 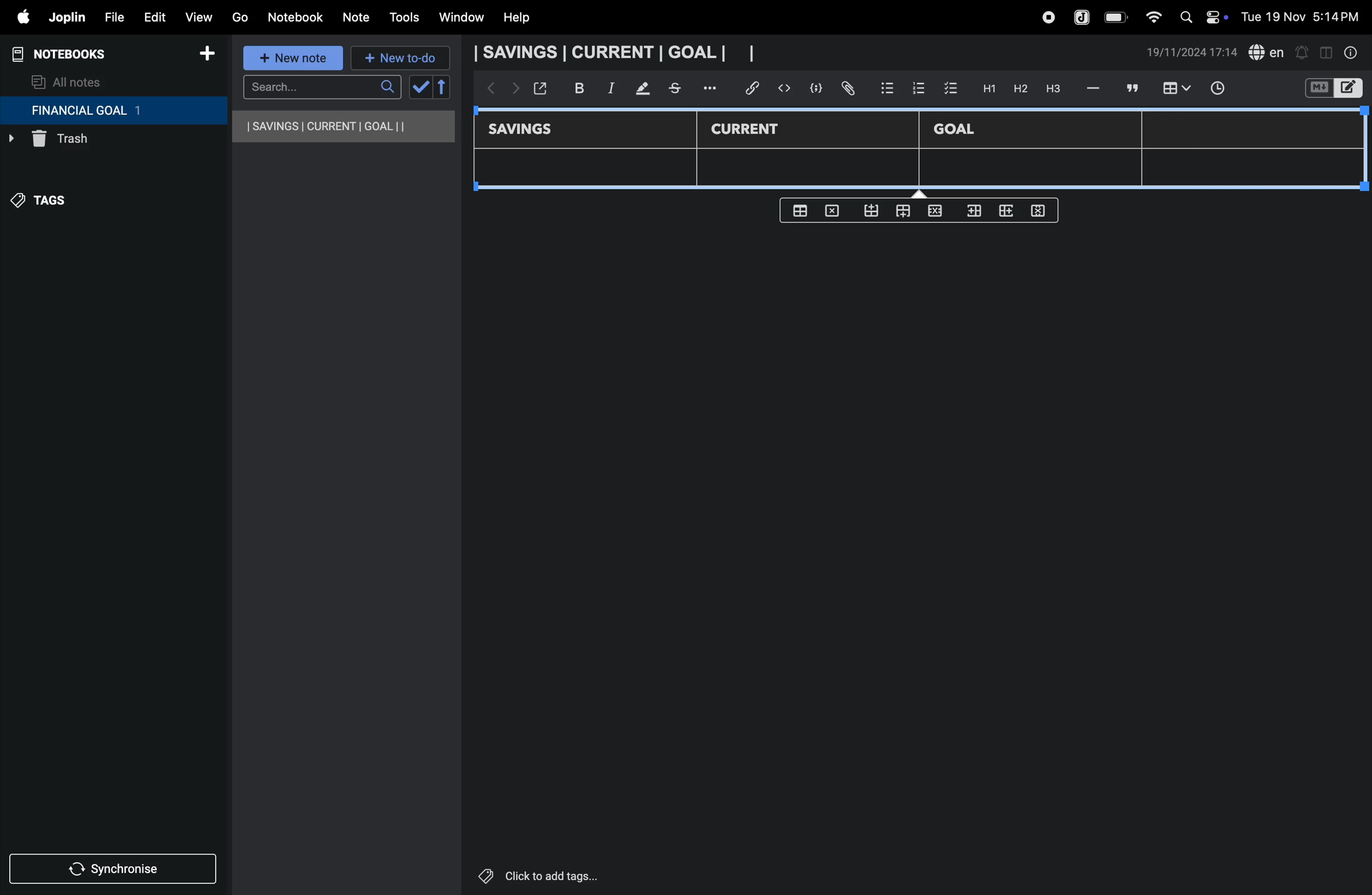 I want to click on apple widgets, so click(x=1201, y=16).